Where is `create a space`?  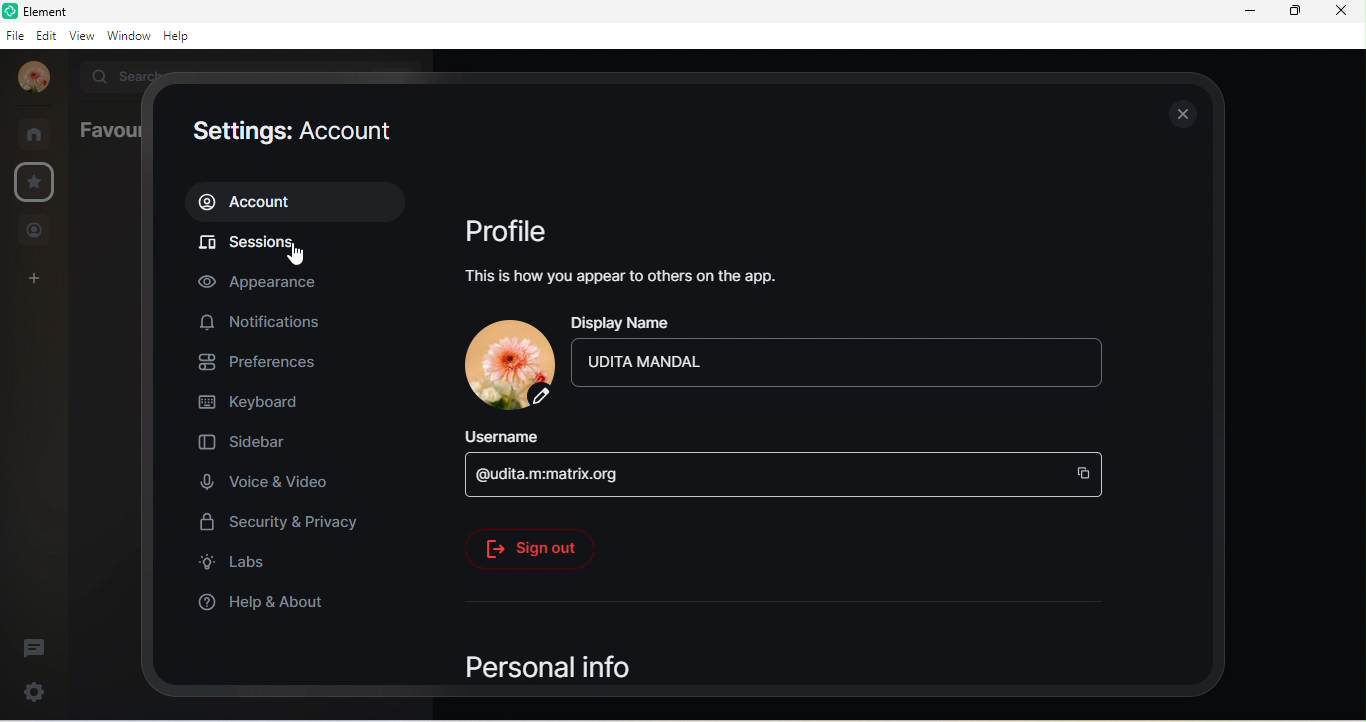
create a space is located at coordinates (38, 280).